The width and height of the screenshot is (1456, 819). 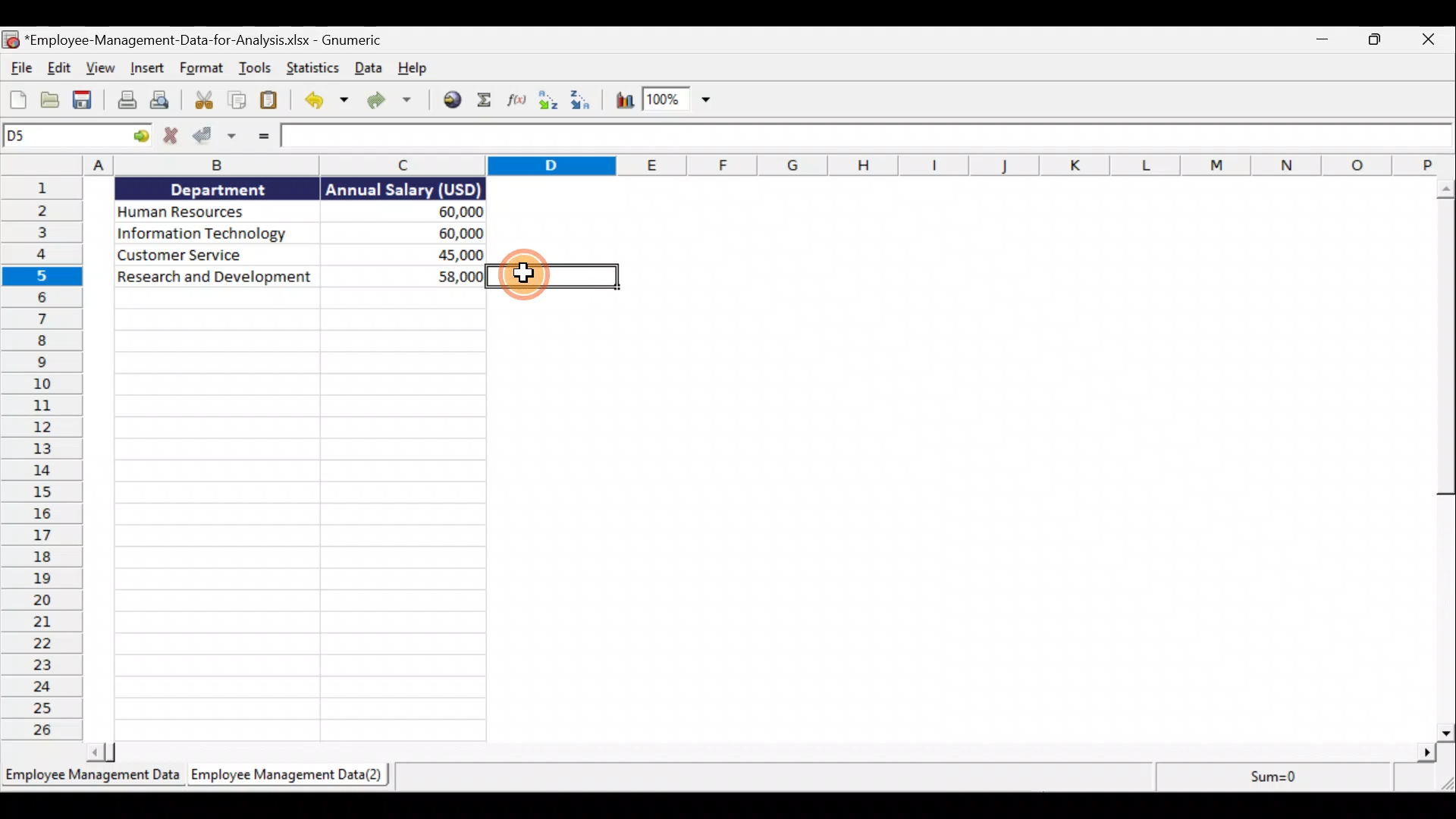 I want to click on Edit a function in the current cell, so click(x=517, y=102).